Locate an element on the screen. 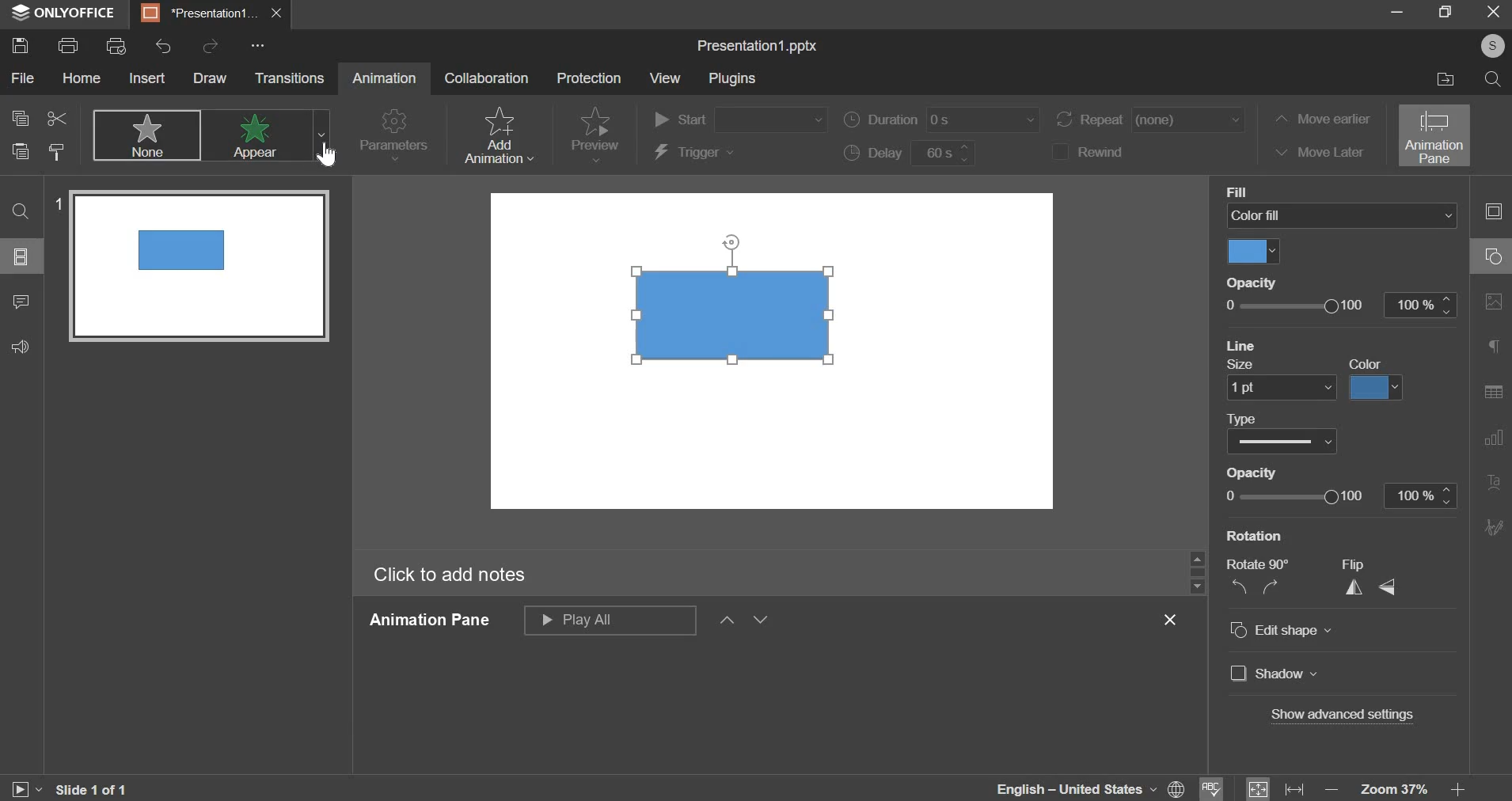  onlyoffice is located at coordinates (63, 13).